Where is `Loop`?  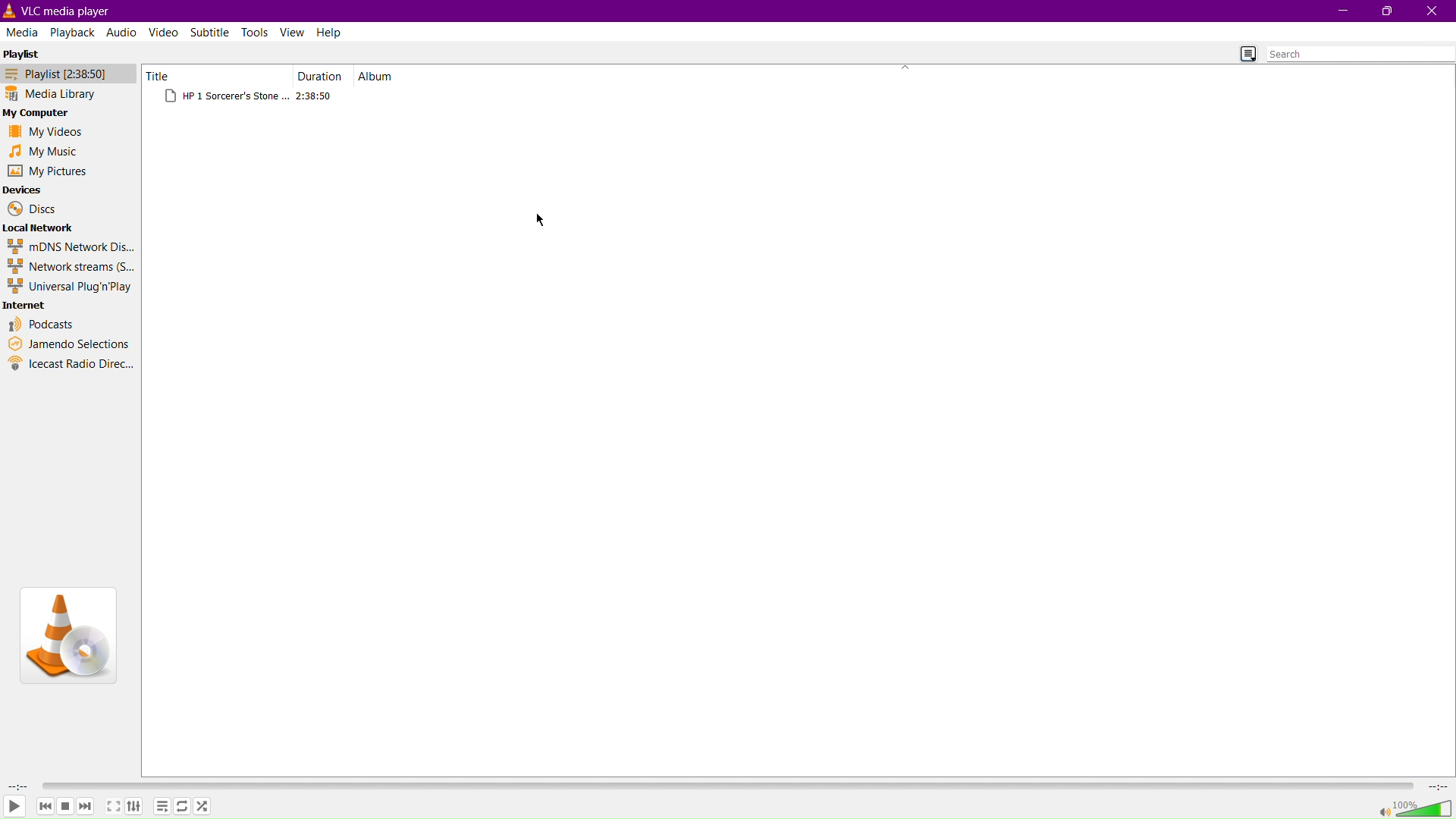 Loop is located at coordinates (181, 808).